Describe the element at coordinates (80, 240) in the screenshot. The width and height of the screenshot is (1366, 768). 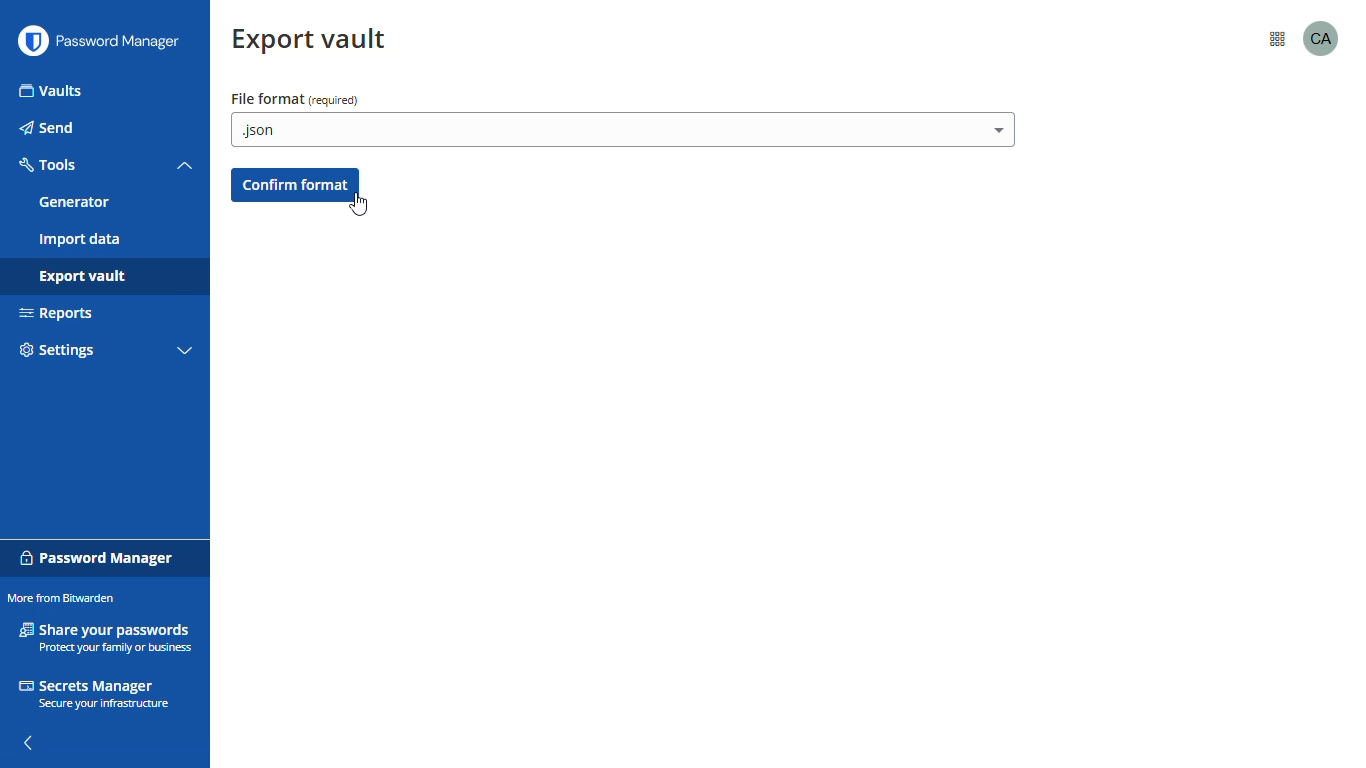
I see `import data` at that location.